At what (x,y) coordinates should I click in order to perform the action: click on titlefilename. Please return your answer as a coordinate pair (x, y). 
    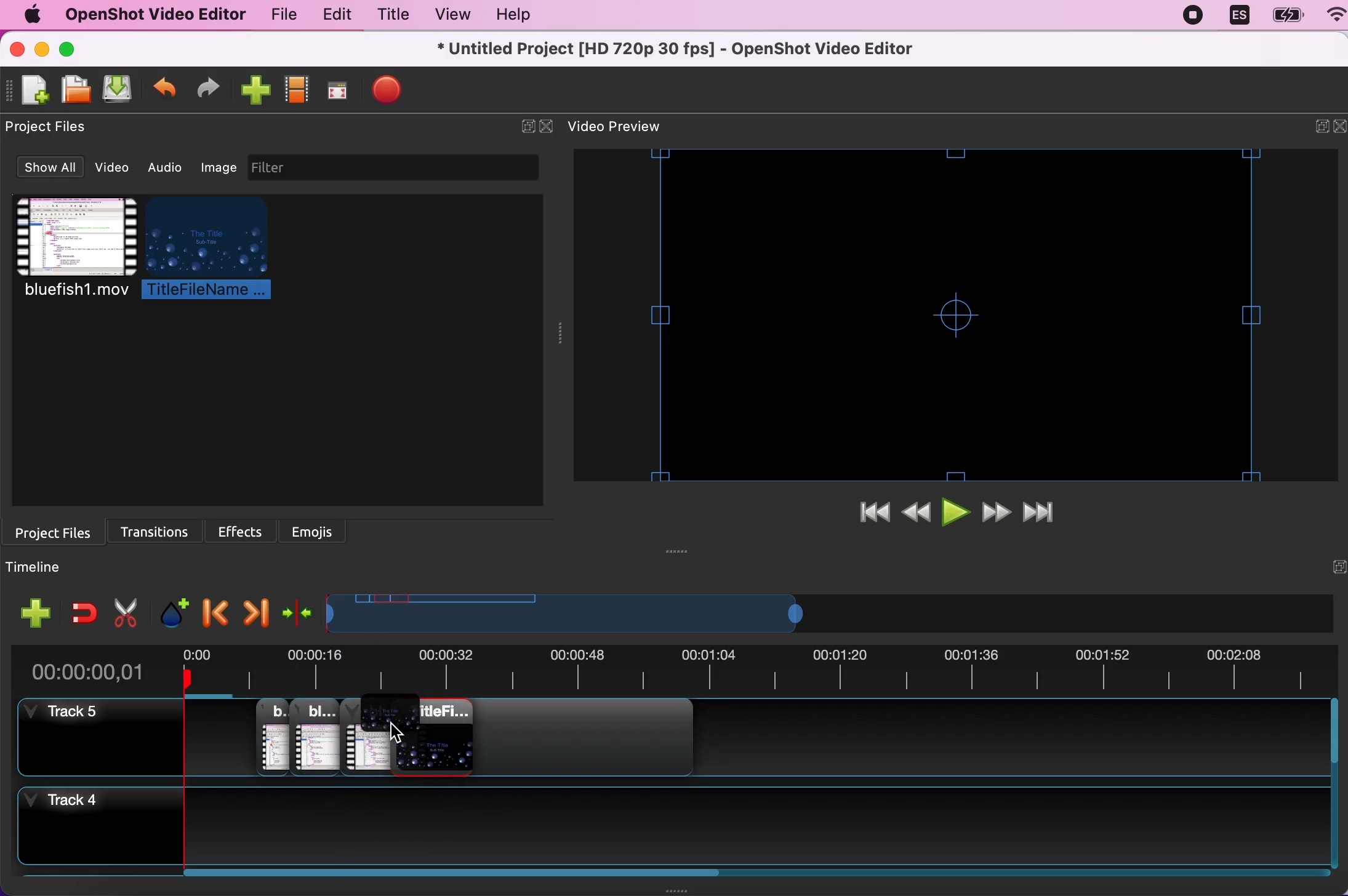
    Looking at the image, I should click on (215, 250).